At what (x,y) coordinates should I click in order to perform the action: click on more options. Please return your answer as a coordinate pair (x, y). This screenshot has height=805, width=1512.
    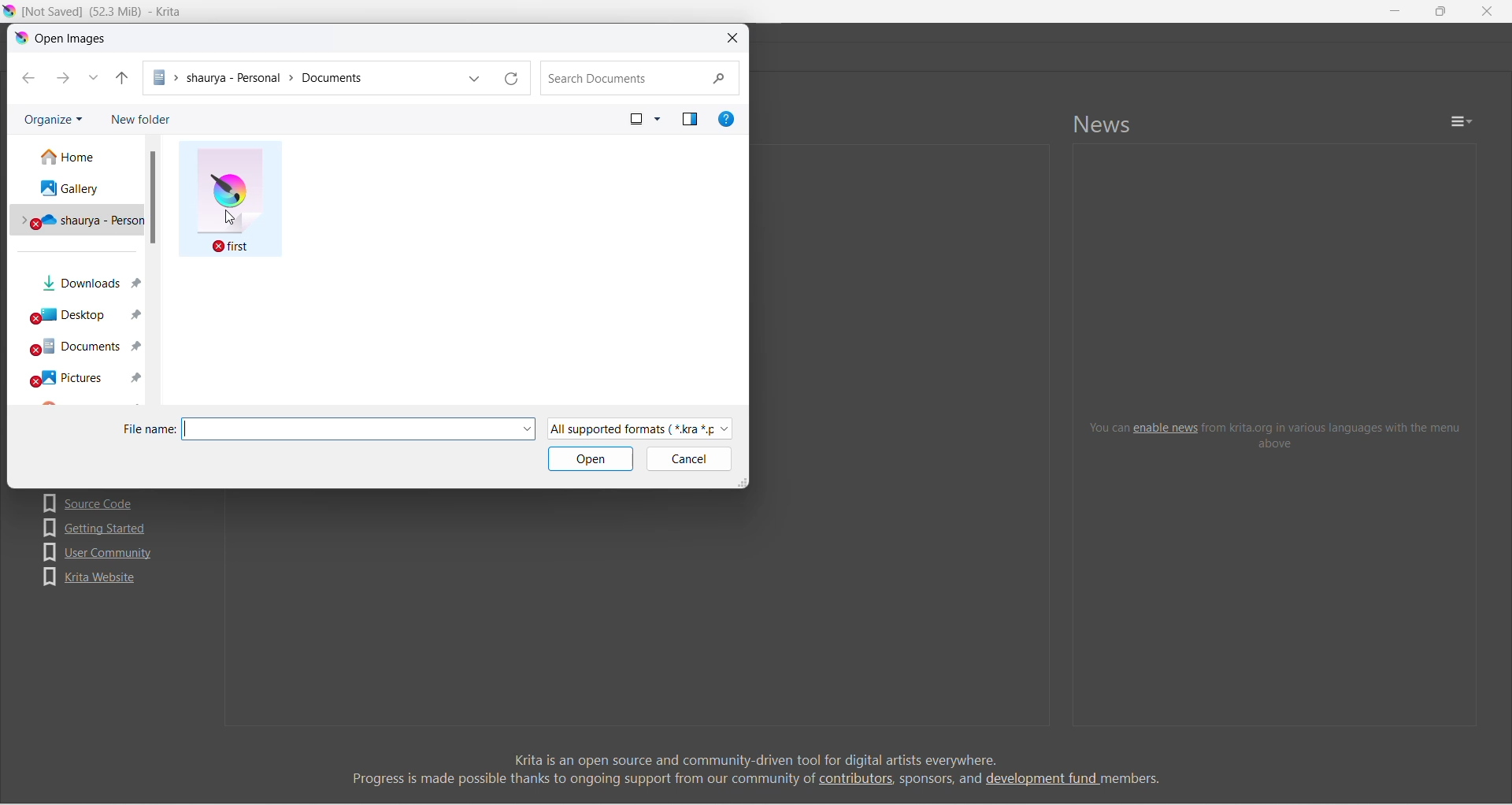
    Looking at the image, I should click on (658, 119).